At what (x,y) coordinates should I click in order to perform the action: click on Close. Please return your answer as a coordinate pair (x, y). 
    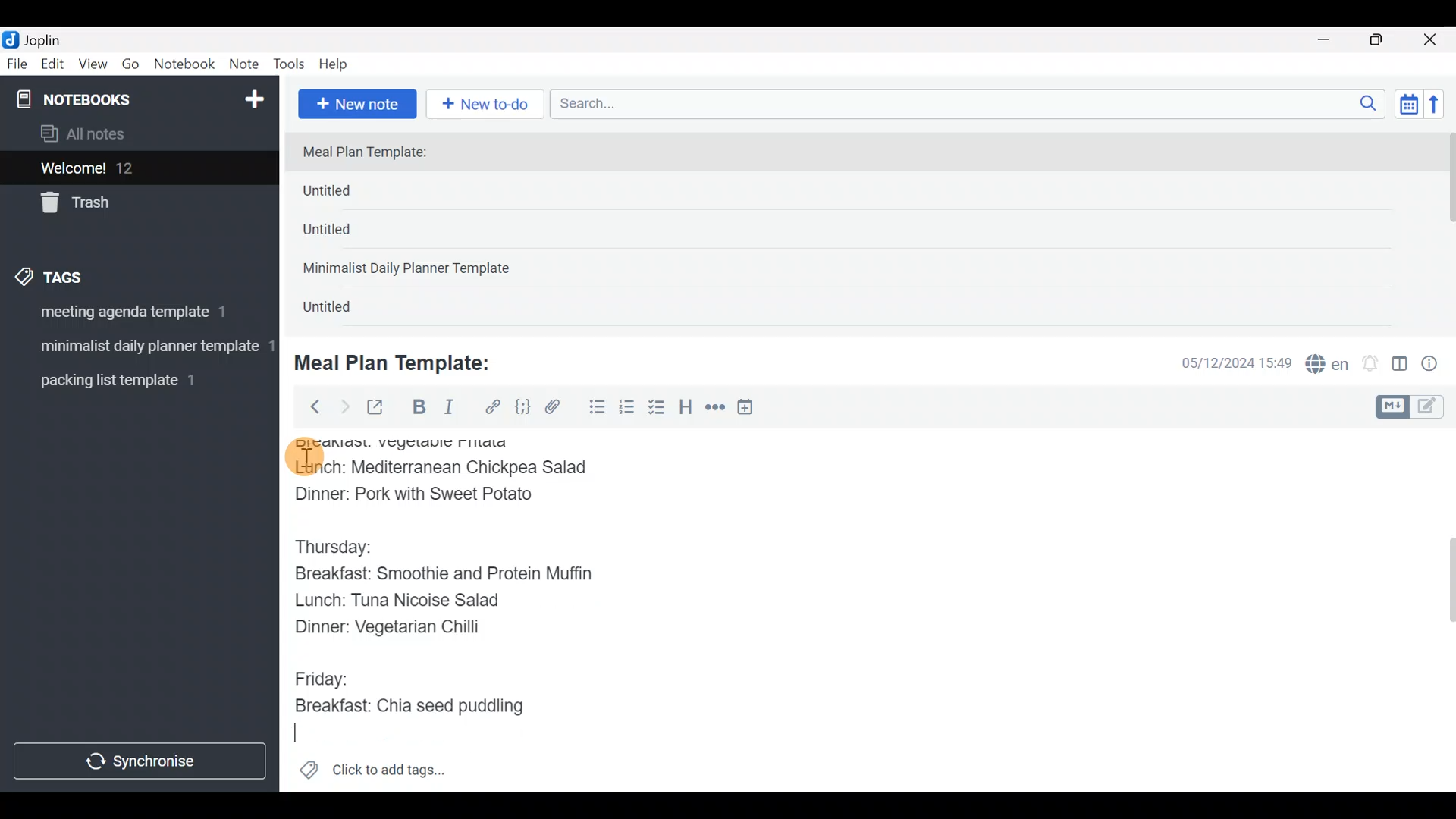
    Looking at the image, I should click on (1432, 41).